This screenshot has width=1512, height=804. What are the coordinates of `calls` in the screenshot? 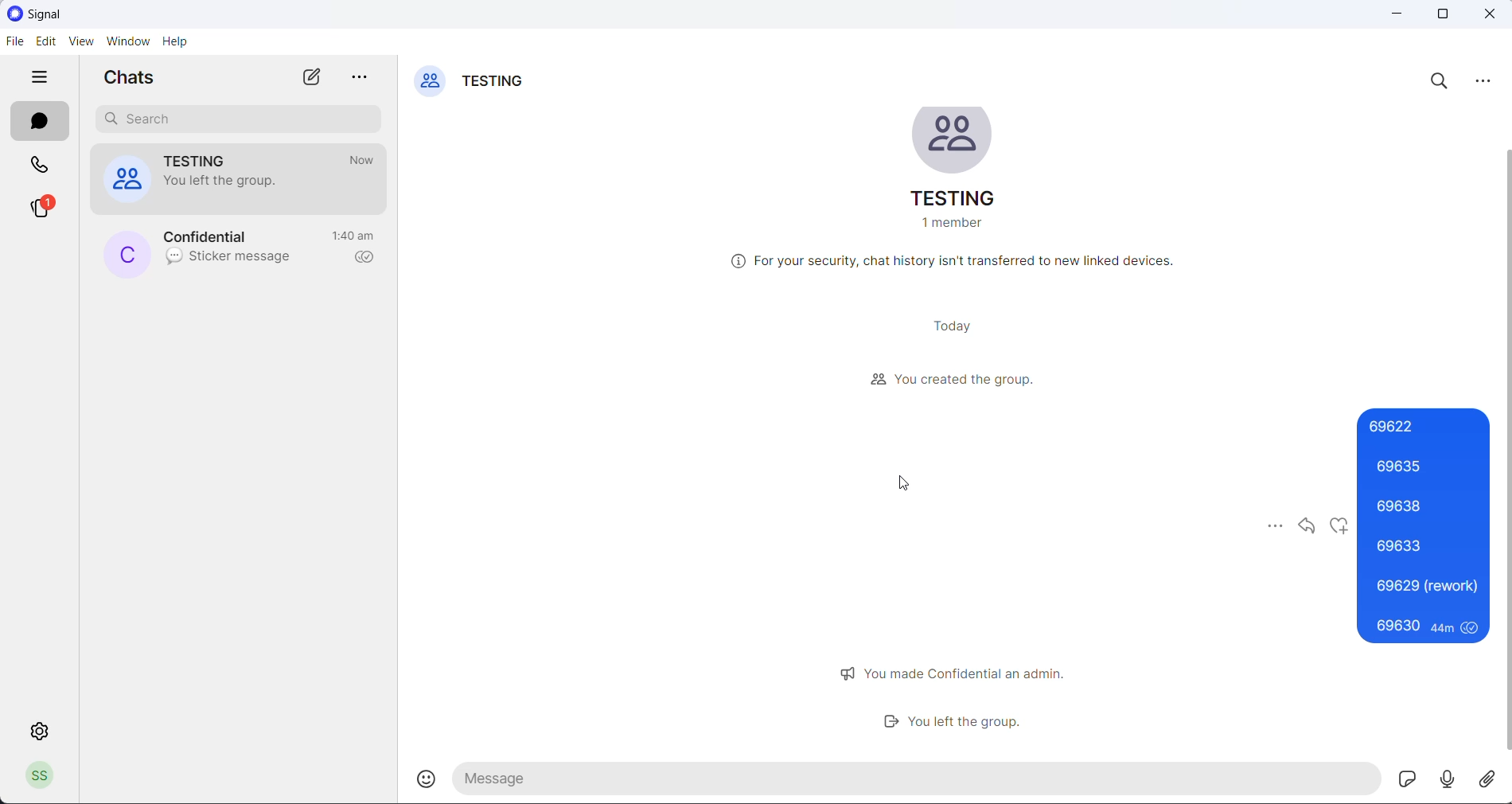 It's located at (41, 168).